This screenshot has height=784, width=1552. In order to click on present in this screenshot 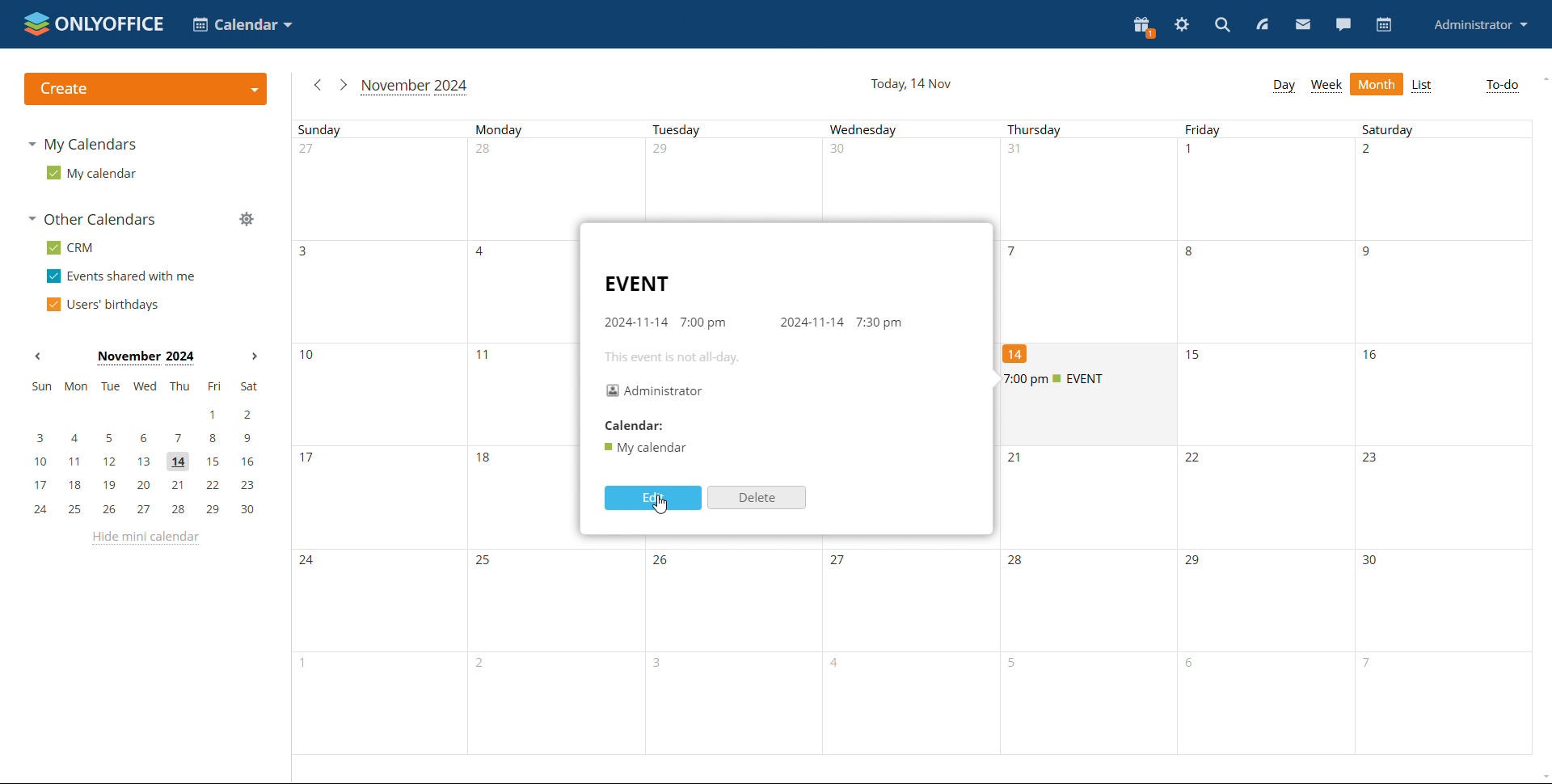, I will do `click(1142, 27)`.